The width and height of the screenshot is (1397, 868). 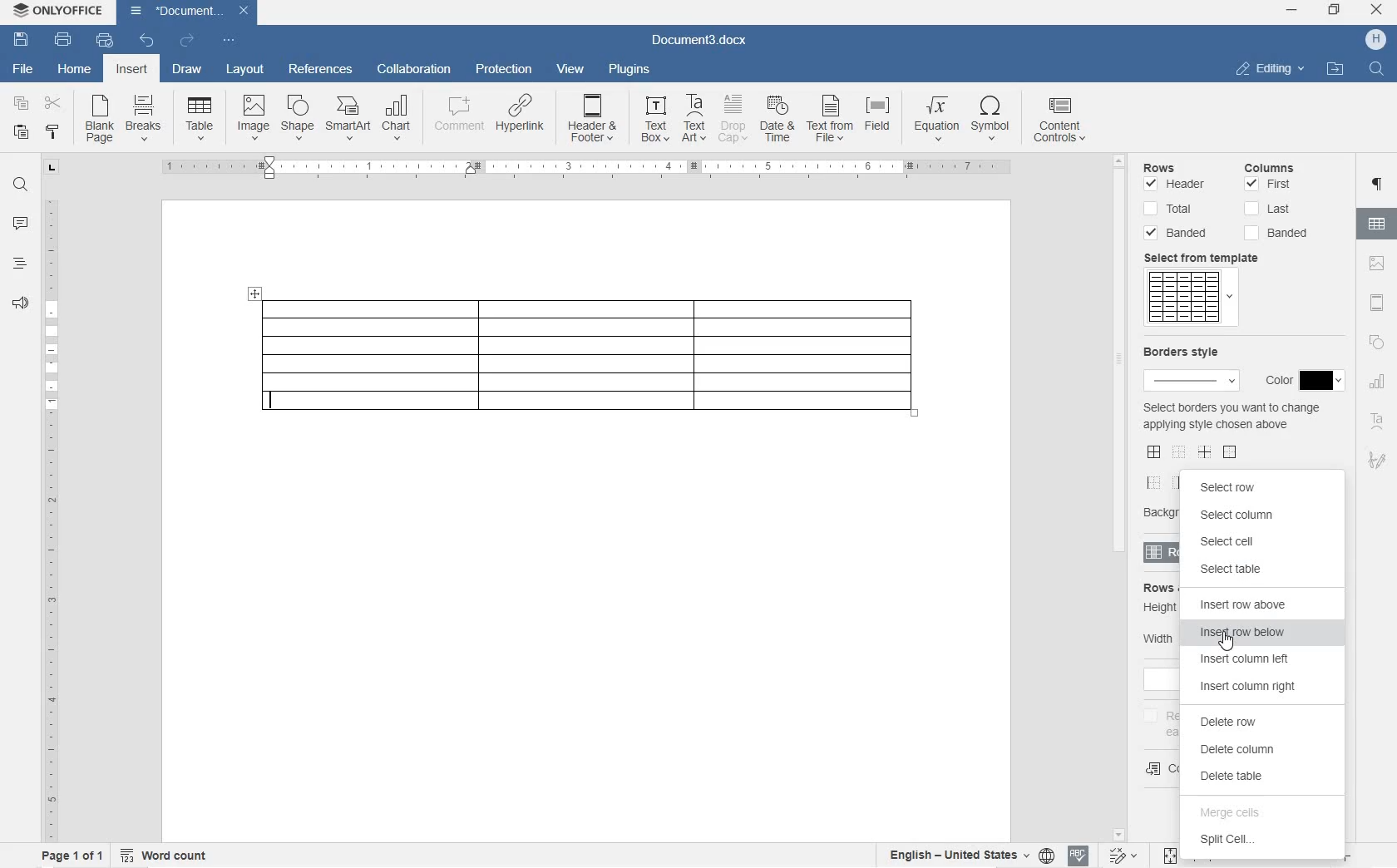 I want to click on template, so click(x=1190, y=298).